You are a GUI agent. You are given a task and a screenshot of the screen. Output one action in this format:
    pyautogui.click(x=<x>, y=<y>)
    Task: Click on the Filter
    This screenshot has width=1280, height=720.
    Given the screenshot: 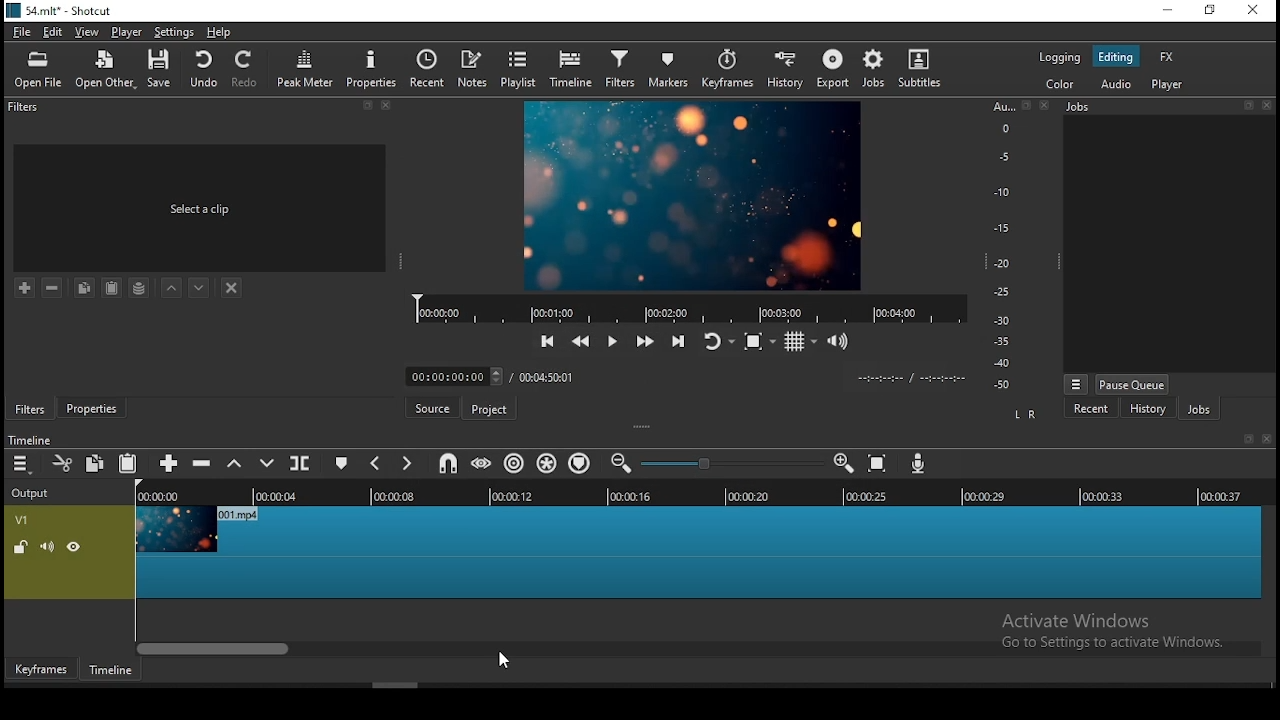 What is the action you would take?
    pyautogui.click(x=26, y=107)
    